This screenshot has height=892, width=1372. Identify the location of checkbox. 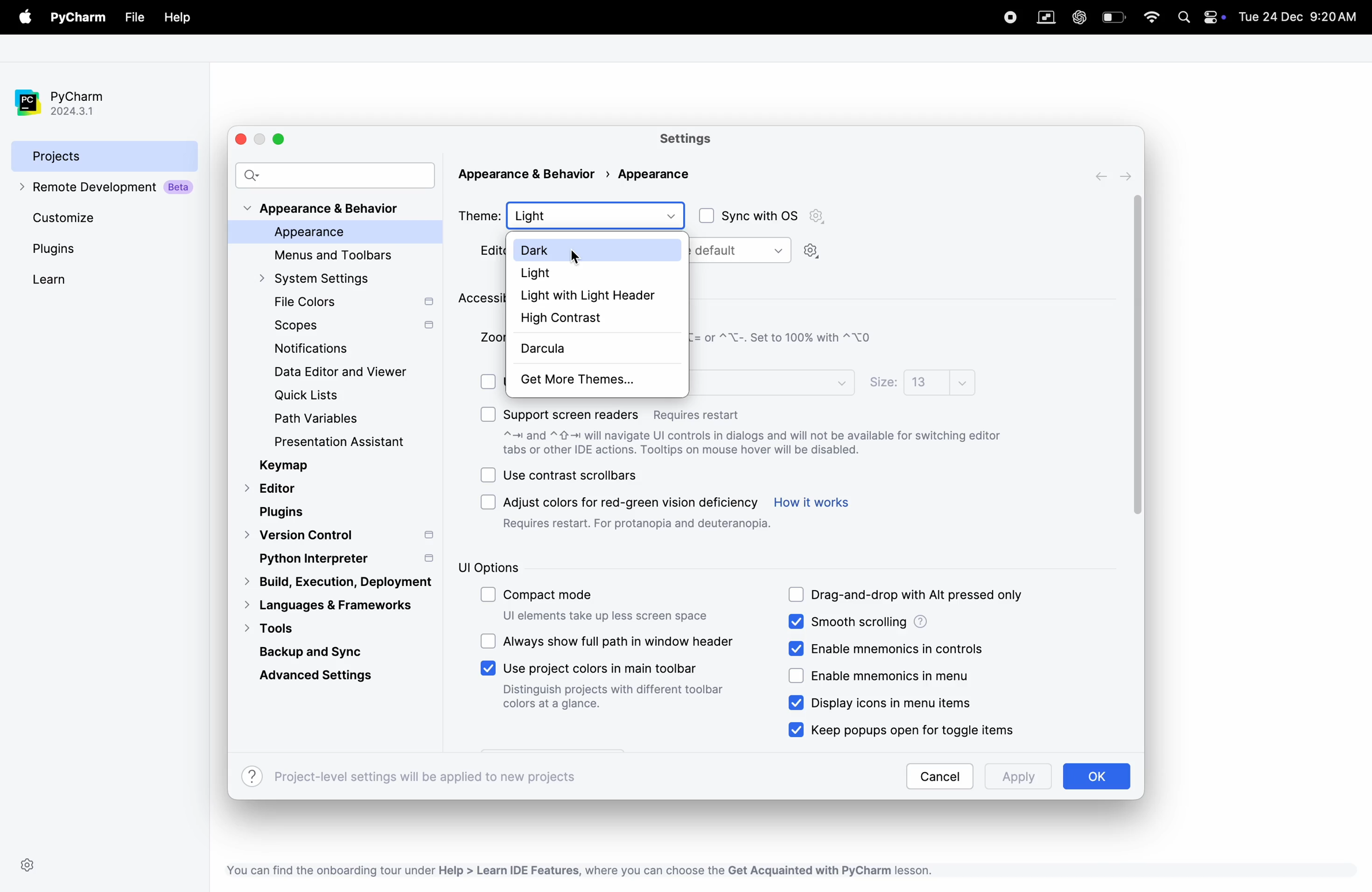
(488, 668).